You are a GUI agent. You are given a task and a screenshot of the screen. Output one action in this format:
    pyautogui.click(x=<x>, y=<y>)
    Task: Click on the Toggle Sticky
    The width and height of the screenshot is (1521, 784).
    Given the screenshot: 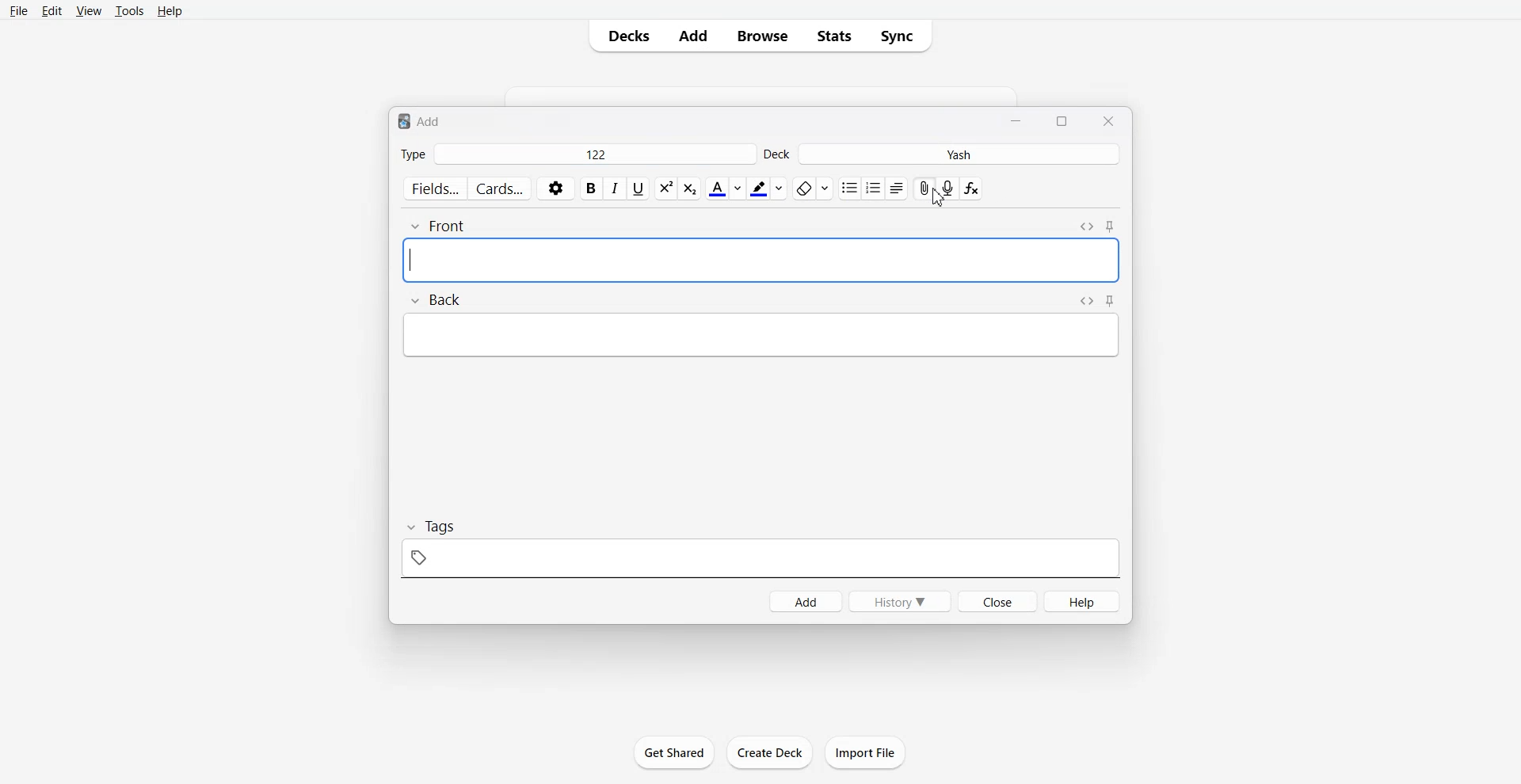 What is the action you would take?
    pyautogui.click(x=1111, y=227)
    